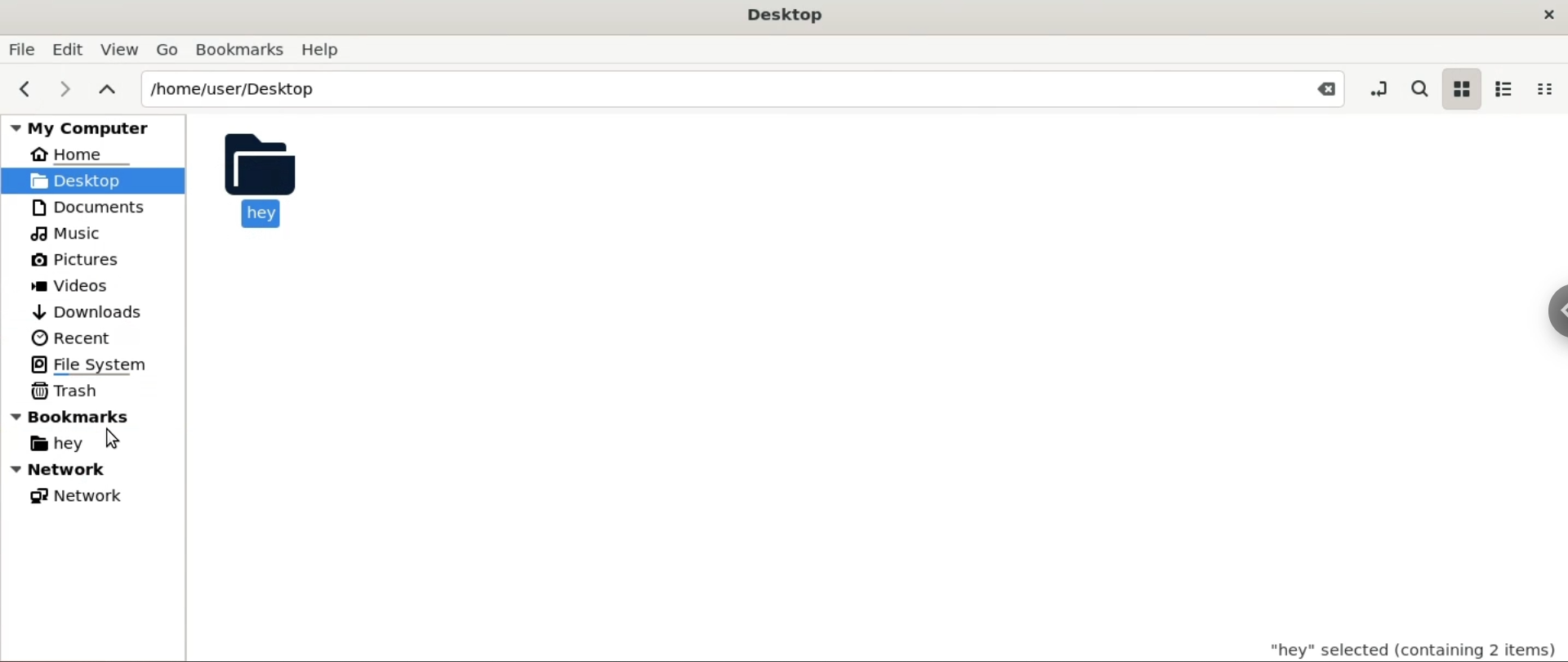 The width and height of the screenshot is (1568, 662). What do you see at coordinates (69, 444) in the screenshot?
I see `hey` at bounding box center [69, 444].